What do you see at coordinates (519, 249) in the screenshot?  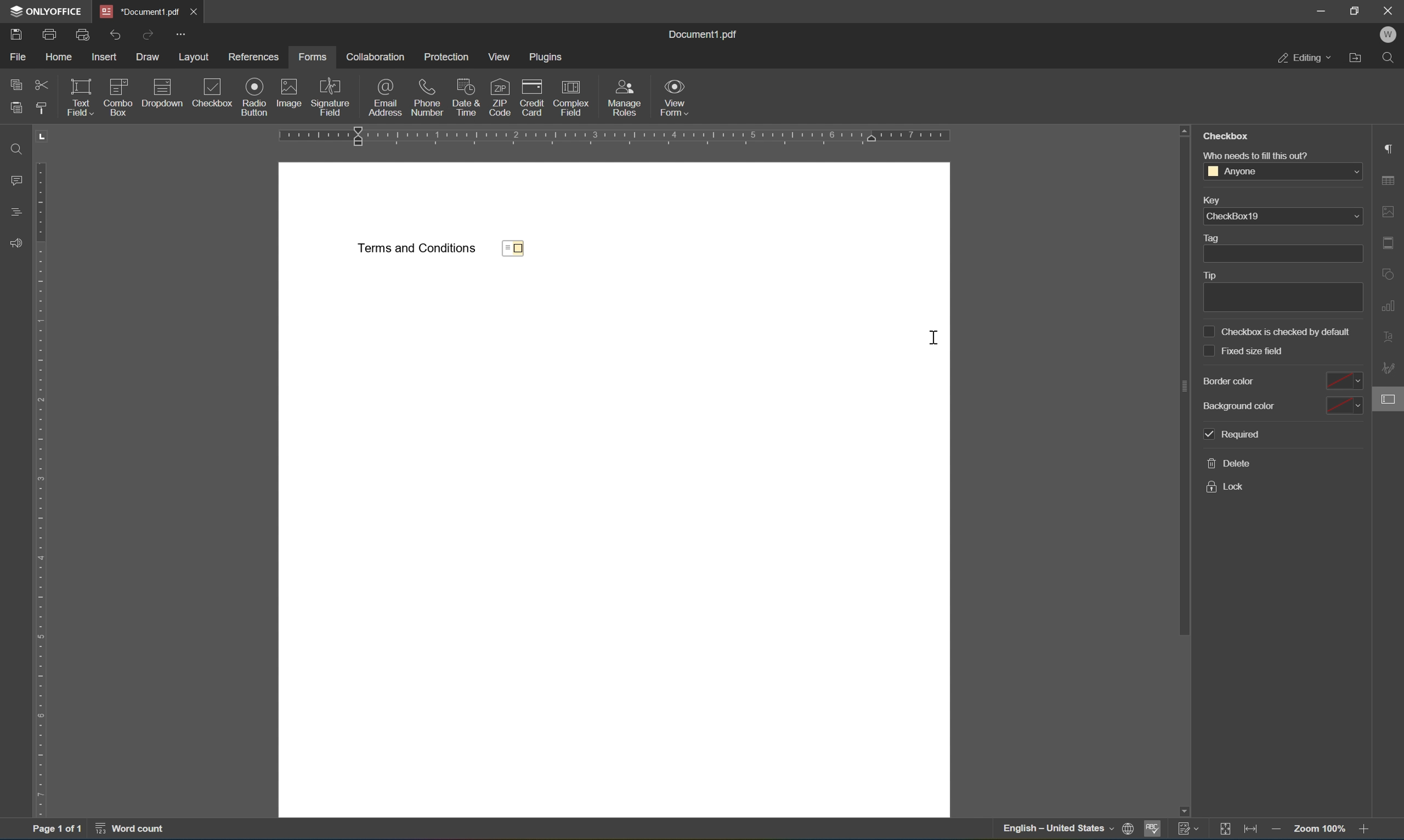 I see `checkbox` at bounding box center [519, 249].